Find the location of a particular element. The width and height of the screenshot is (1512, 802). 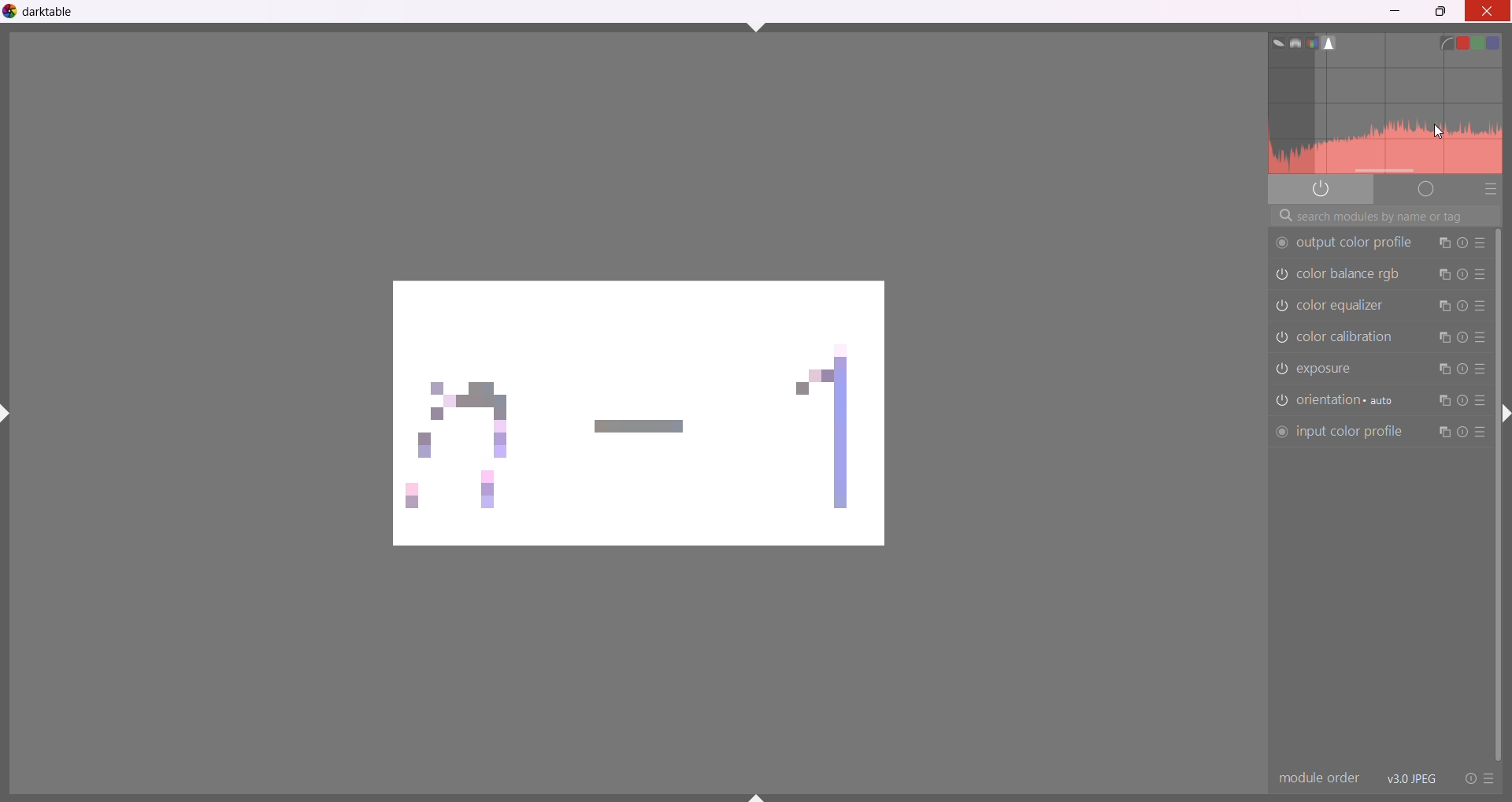

color balance rgb switched off is located at coordinates (1280, 277).